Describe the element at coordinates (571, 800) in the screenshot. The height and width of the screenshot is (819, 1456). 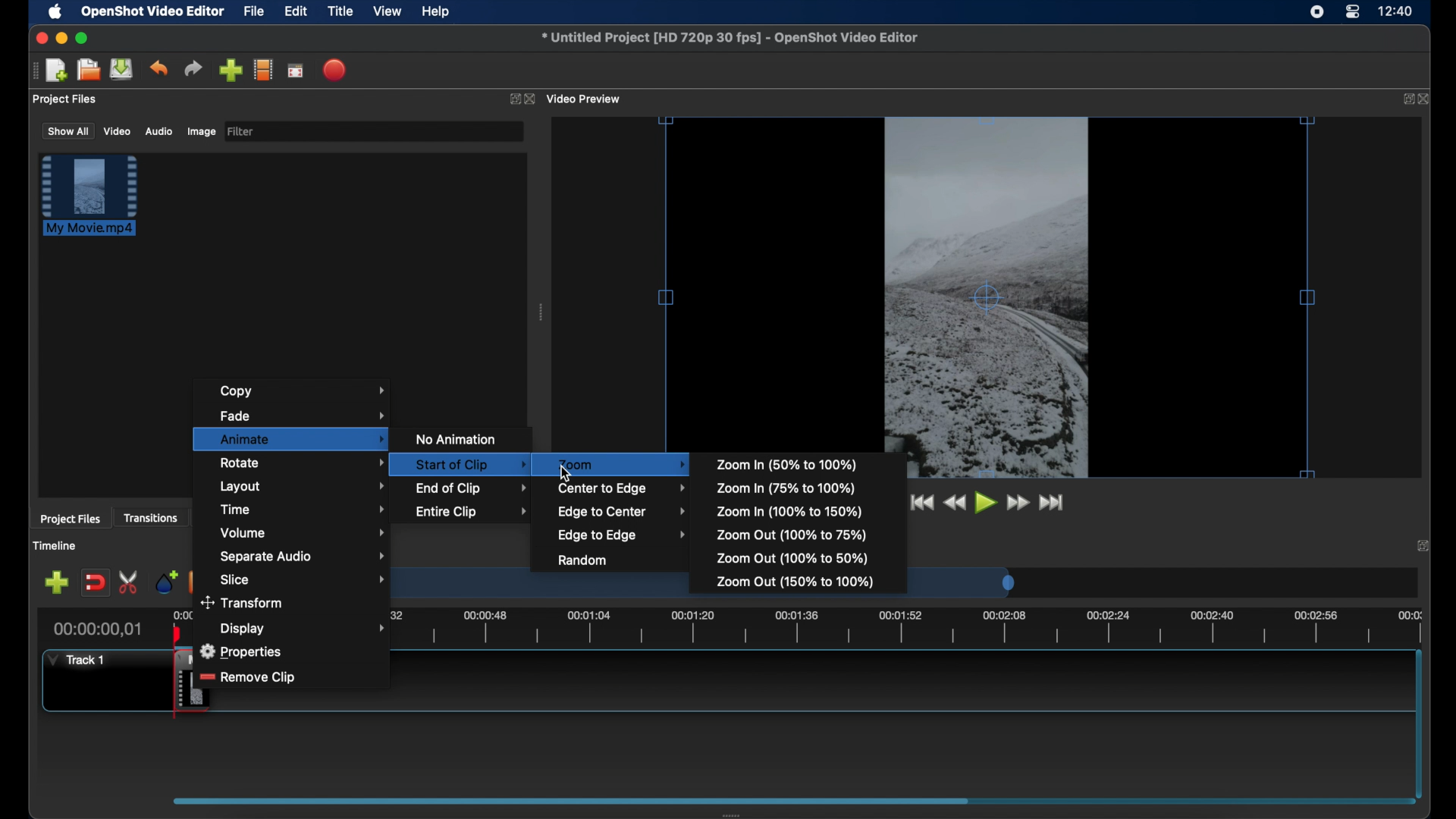
I see `scroll box` at that location.